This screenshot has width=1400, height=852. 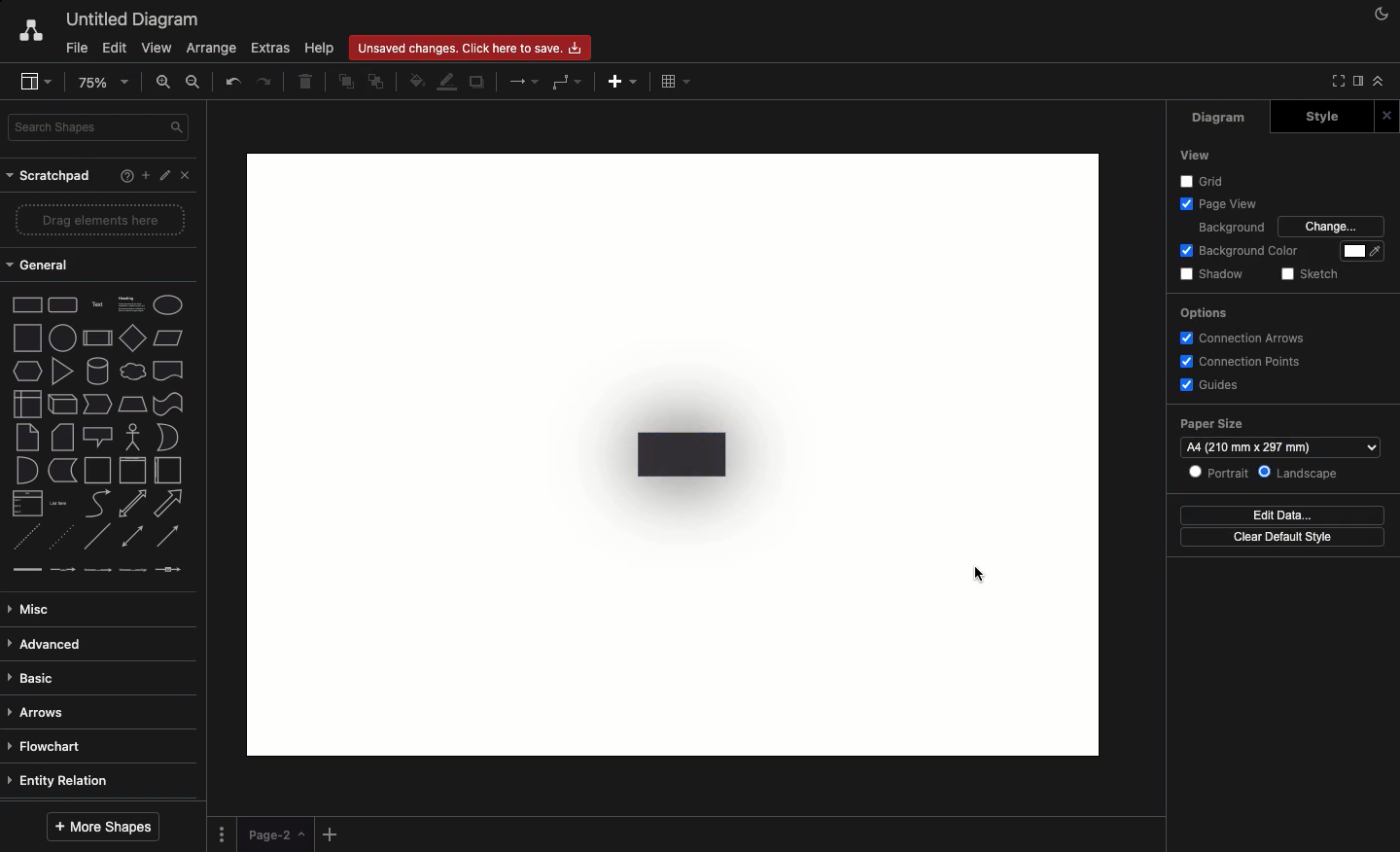 What do you see at coordinates (224, 835) in the screenshot?
I see `Options` at bounding box center [224, 835].